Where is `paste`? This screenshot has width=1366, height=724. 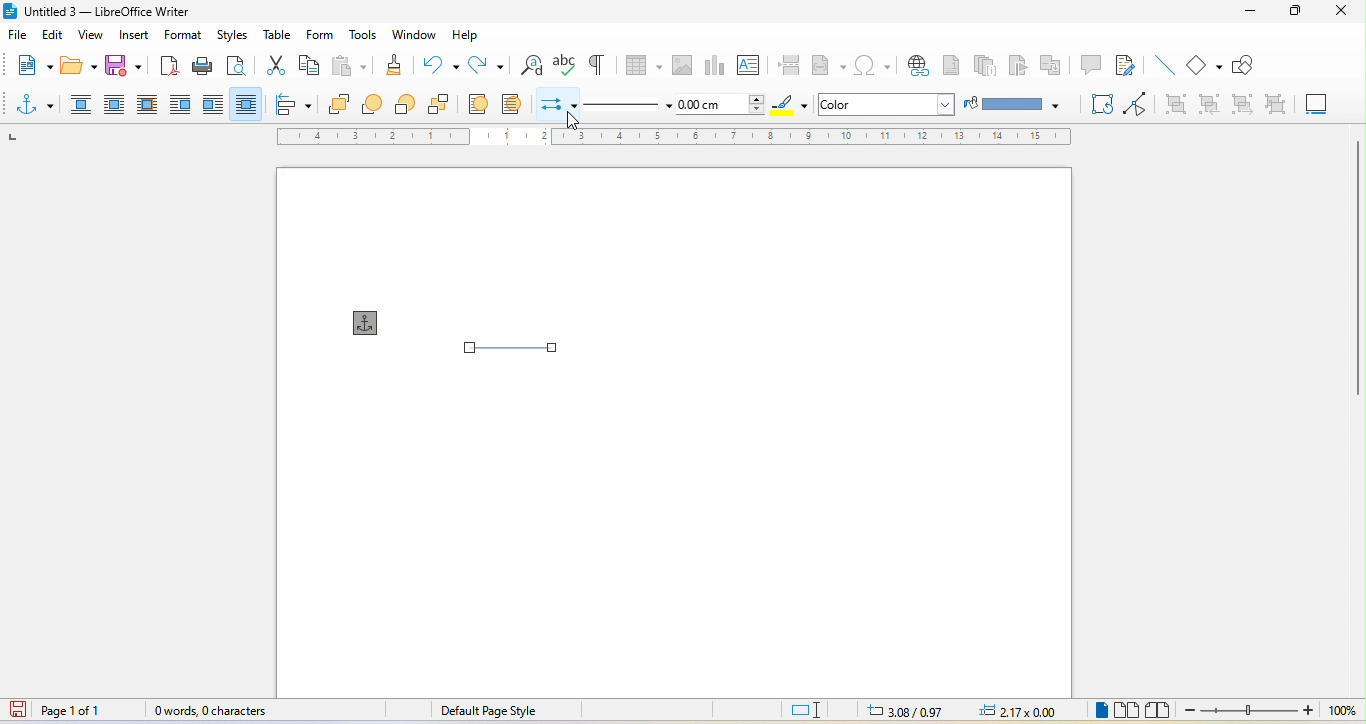 paste is located at coordinates (349, 65).